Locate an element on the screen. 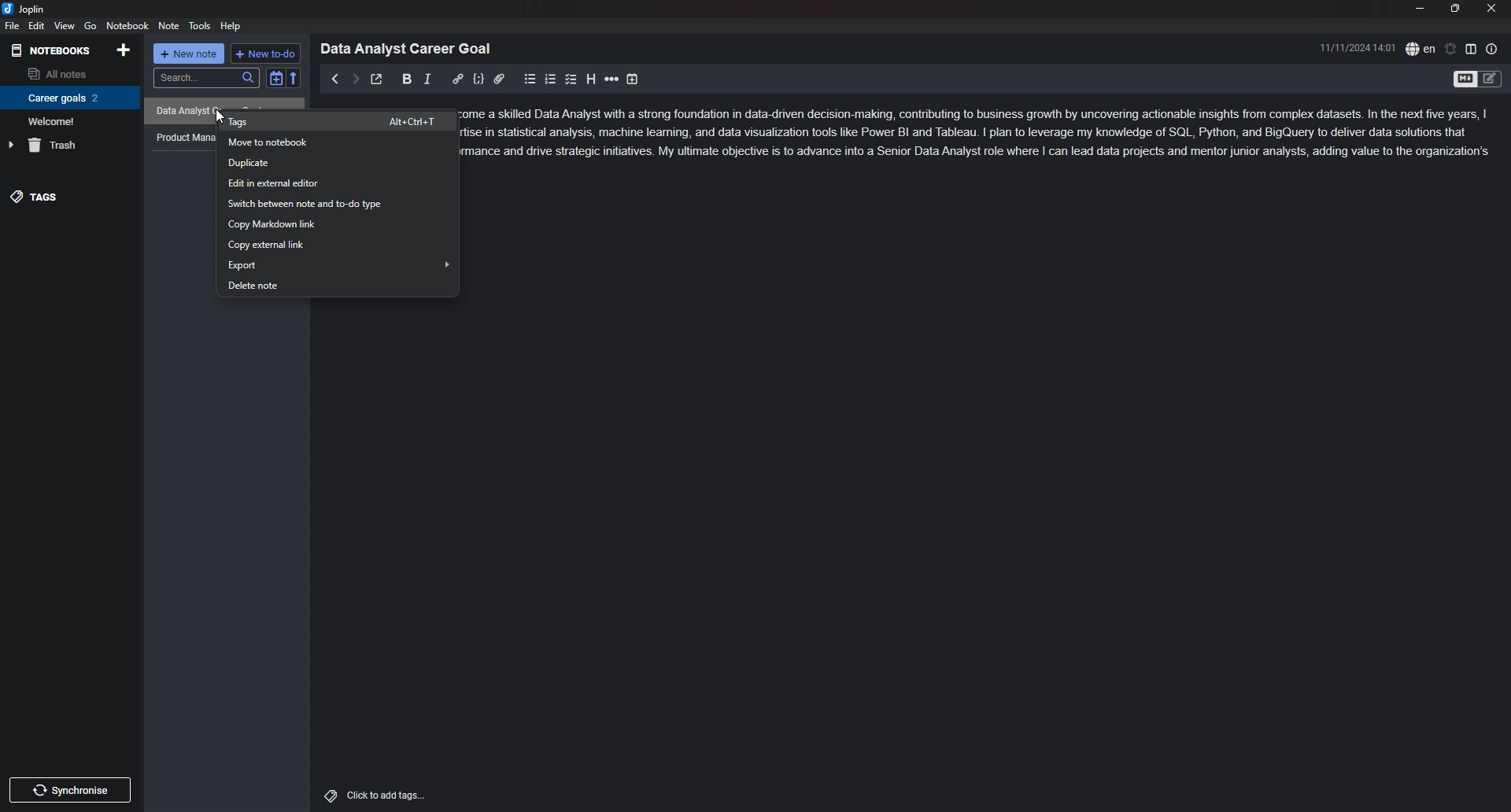  spell check is located at coordinates (1420, 49).